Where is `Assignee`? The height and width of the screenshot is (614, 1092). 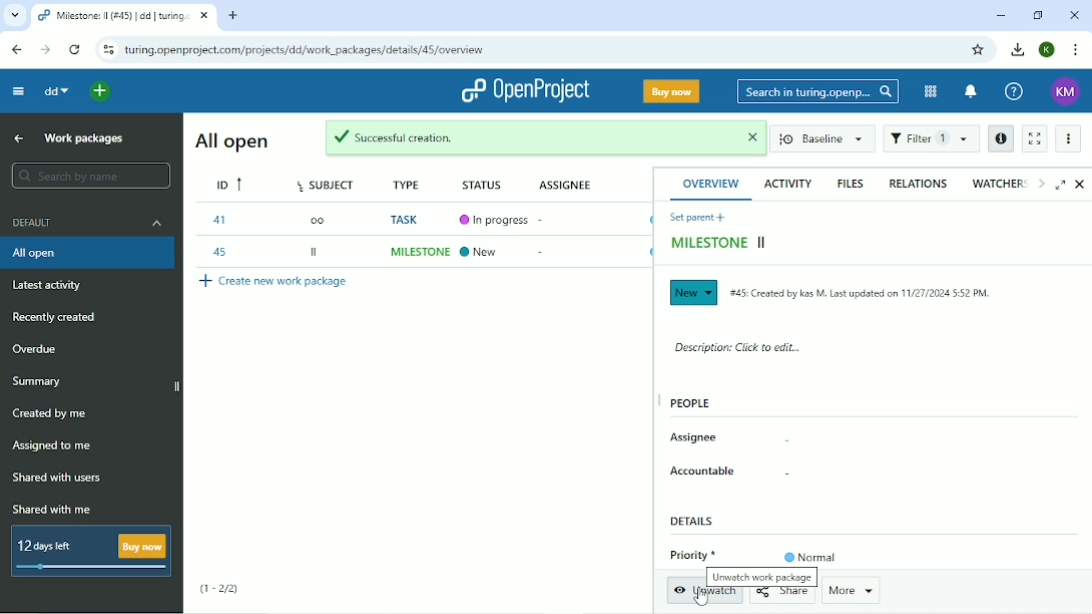
Assignee is located at coordinates (694, 438).